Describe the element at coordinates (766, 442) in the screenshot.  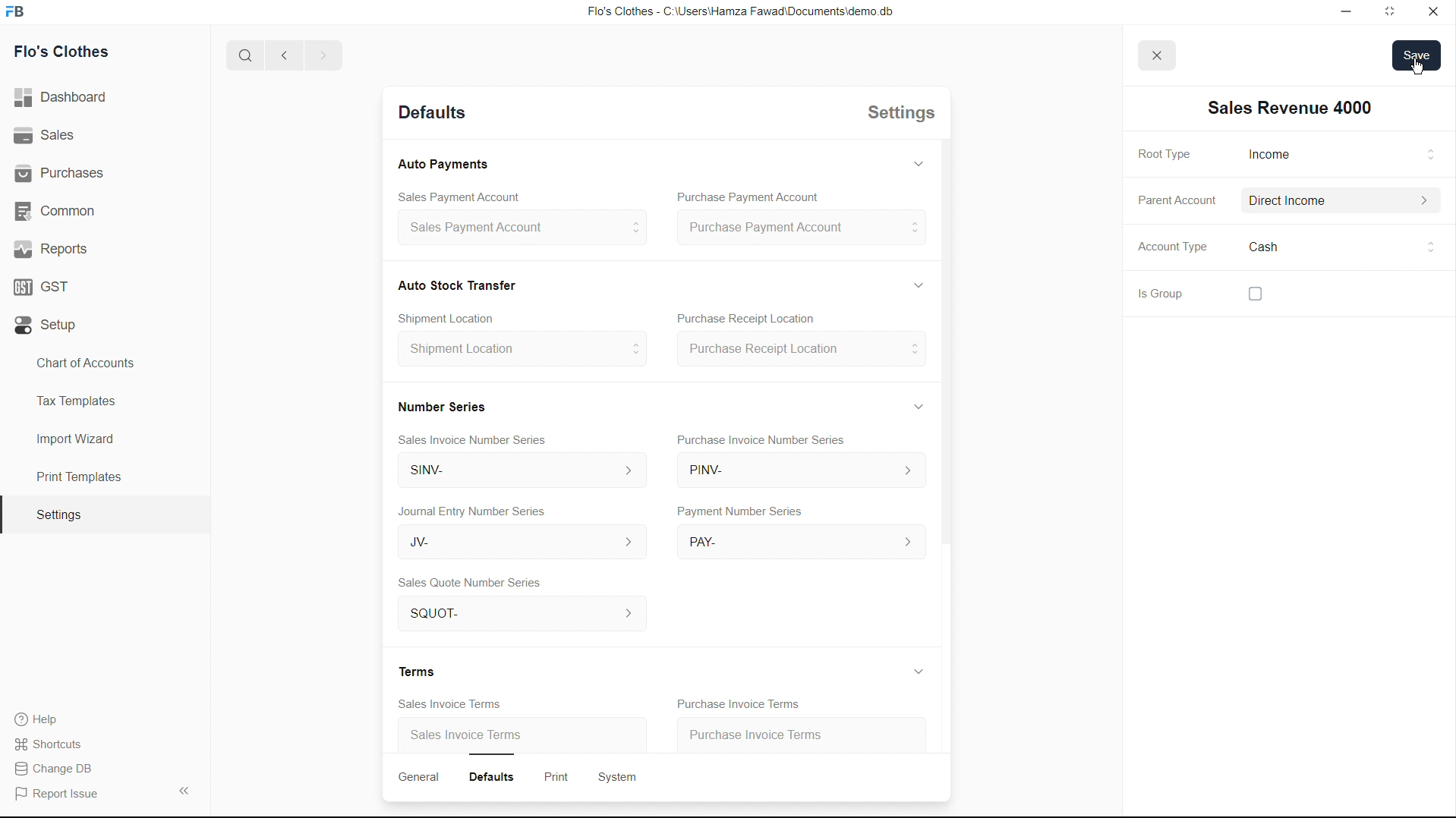
I see `Purchase Invoice Number Series` at that location.